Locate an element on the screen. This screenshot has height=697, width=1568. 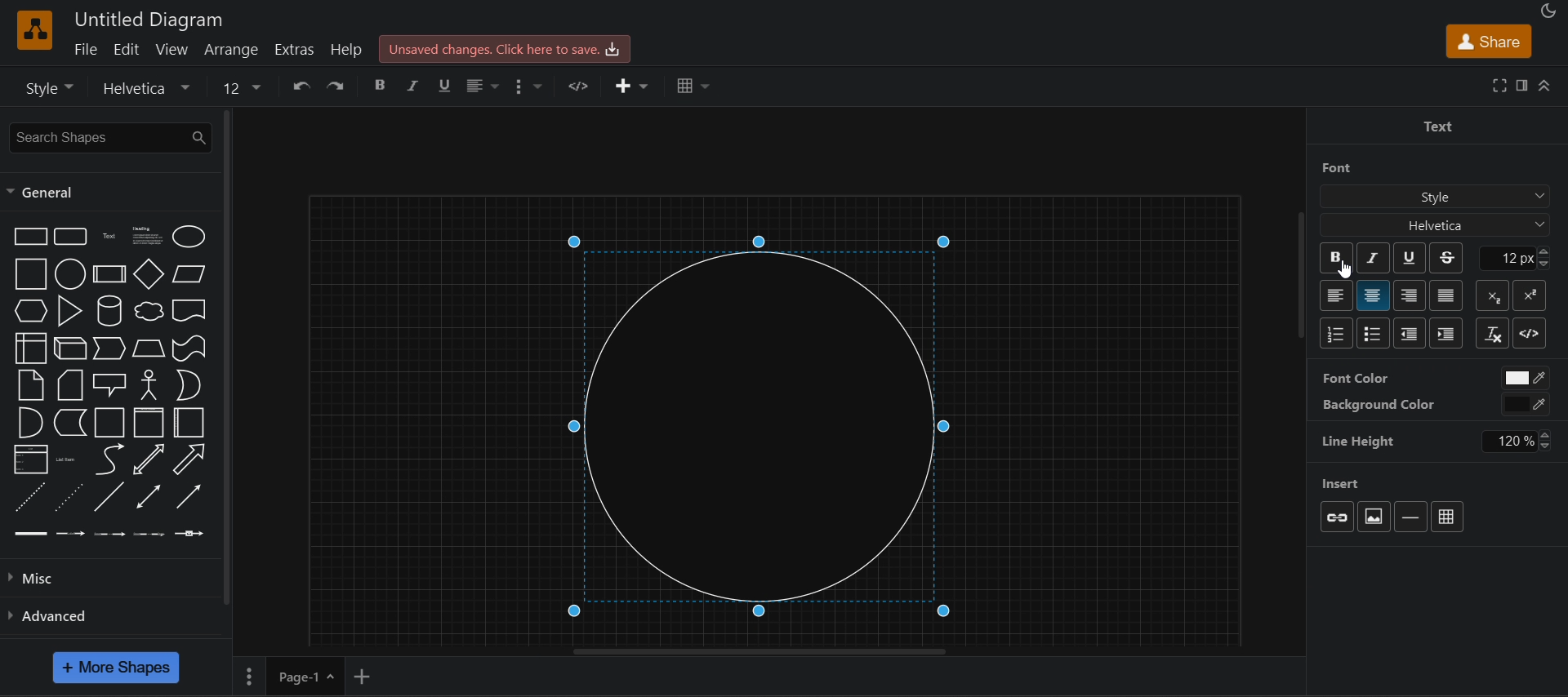
vertical scroll bar is located at coordinates (1291, 275).